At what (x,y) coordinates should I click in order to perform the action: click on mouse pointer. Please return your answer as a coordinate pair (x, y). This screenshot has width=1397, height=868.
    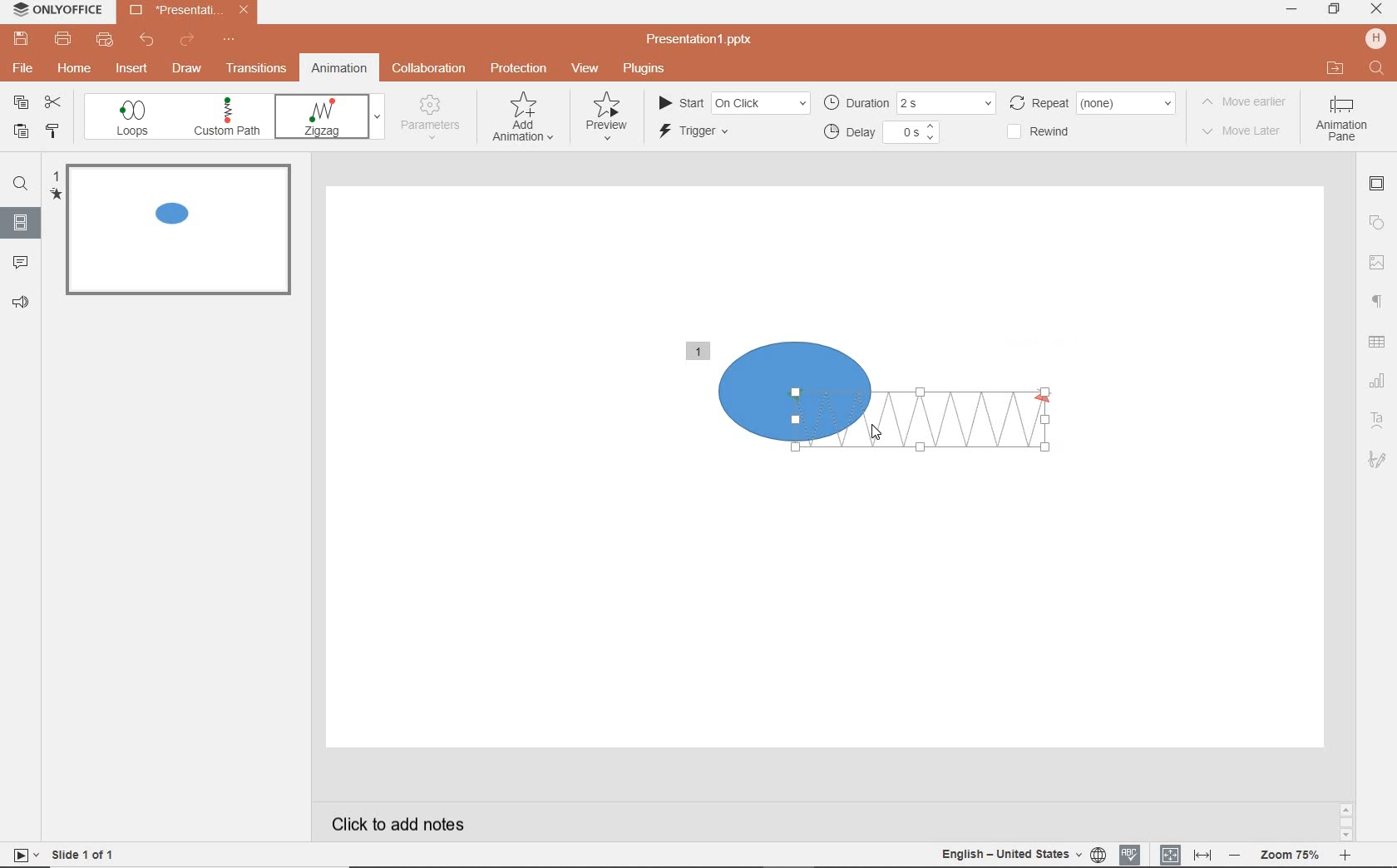
    Looking at the image, I should click on (877, 431).